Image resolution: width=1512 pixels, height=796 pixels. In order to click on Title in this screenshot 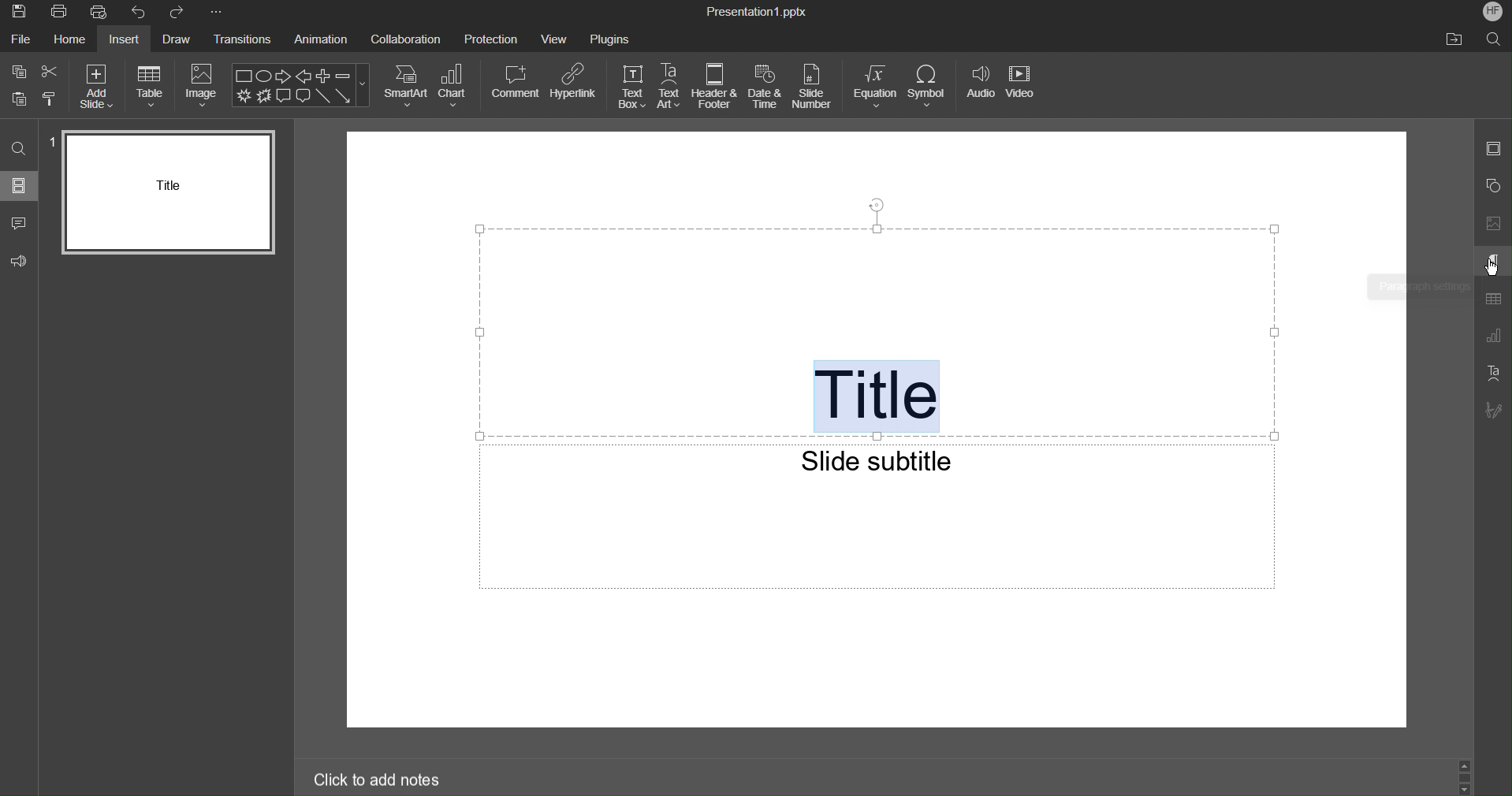, I will do `click(874, 396)`.